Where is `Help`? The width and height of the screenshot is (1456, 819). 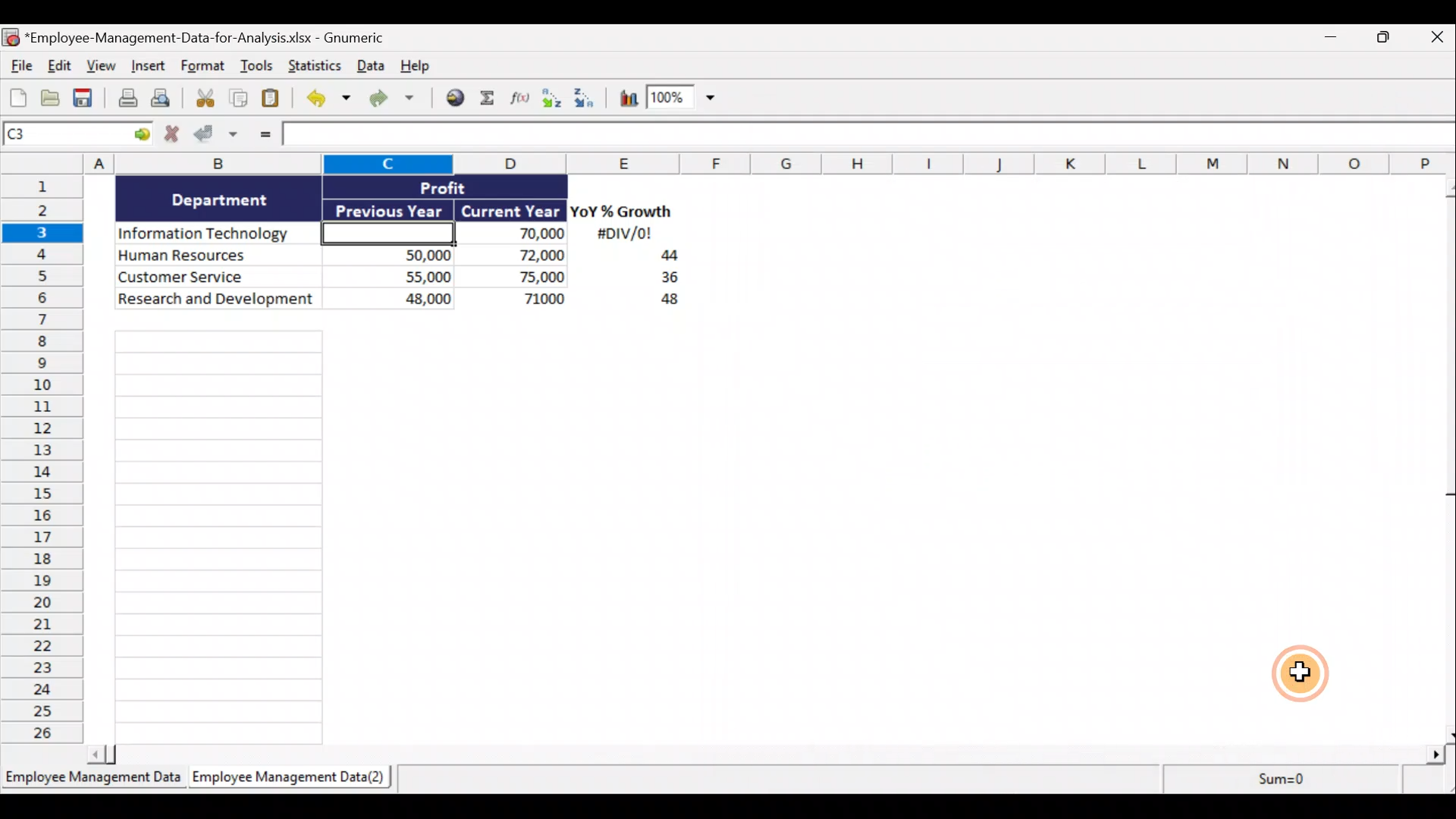
Help is located at coordinates (420, 64).